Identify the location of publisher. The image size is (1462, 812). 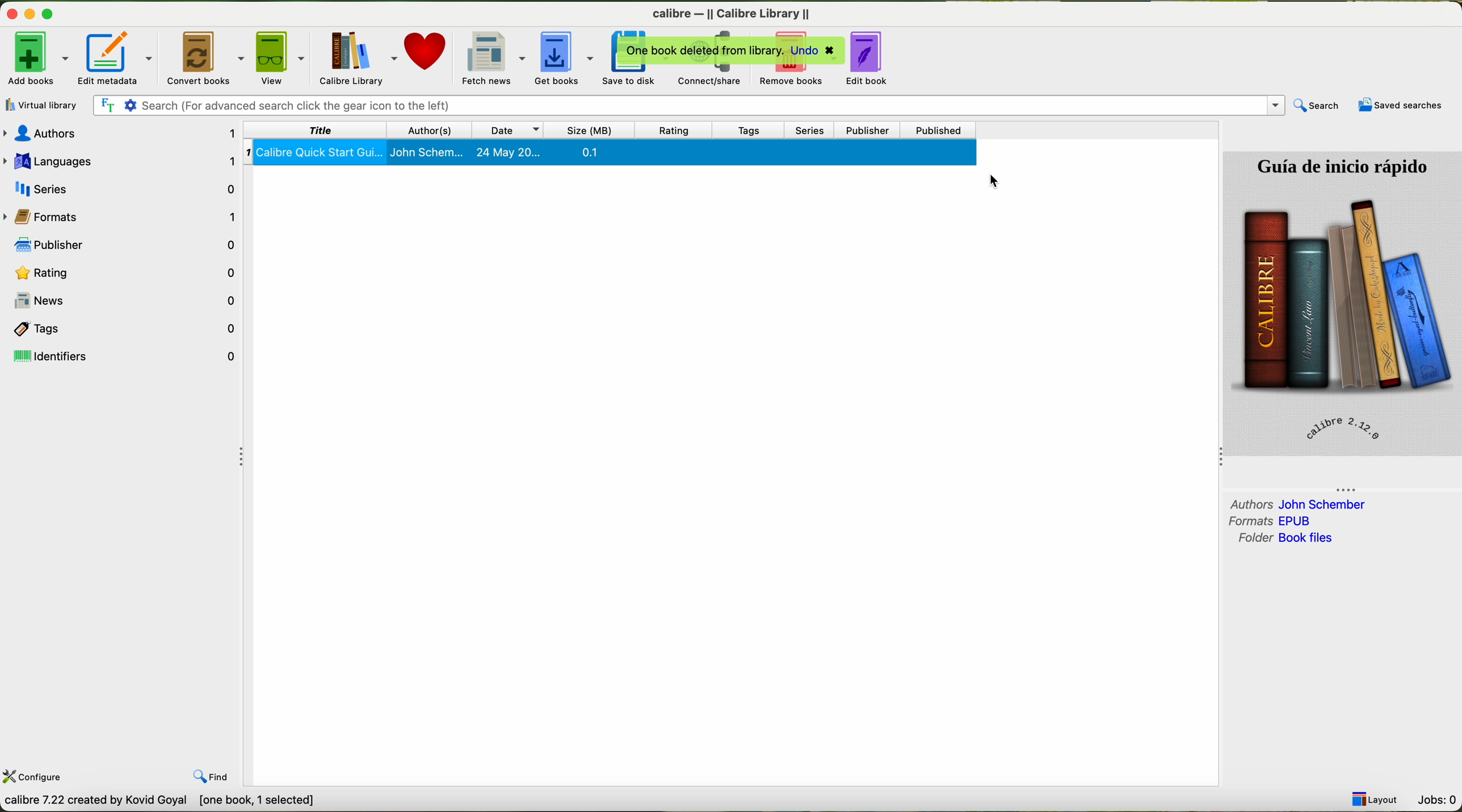
(123, 243).